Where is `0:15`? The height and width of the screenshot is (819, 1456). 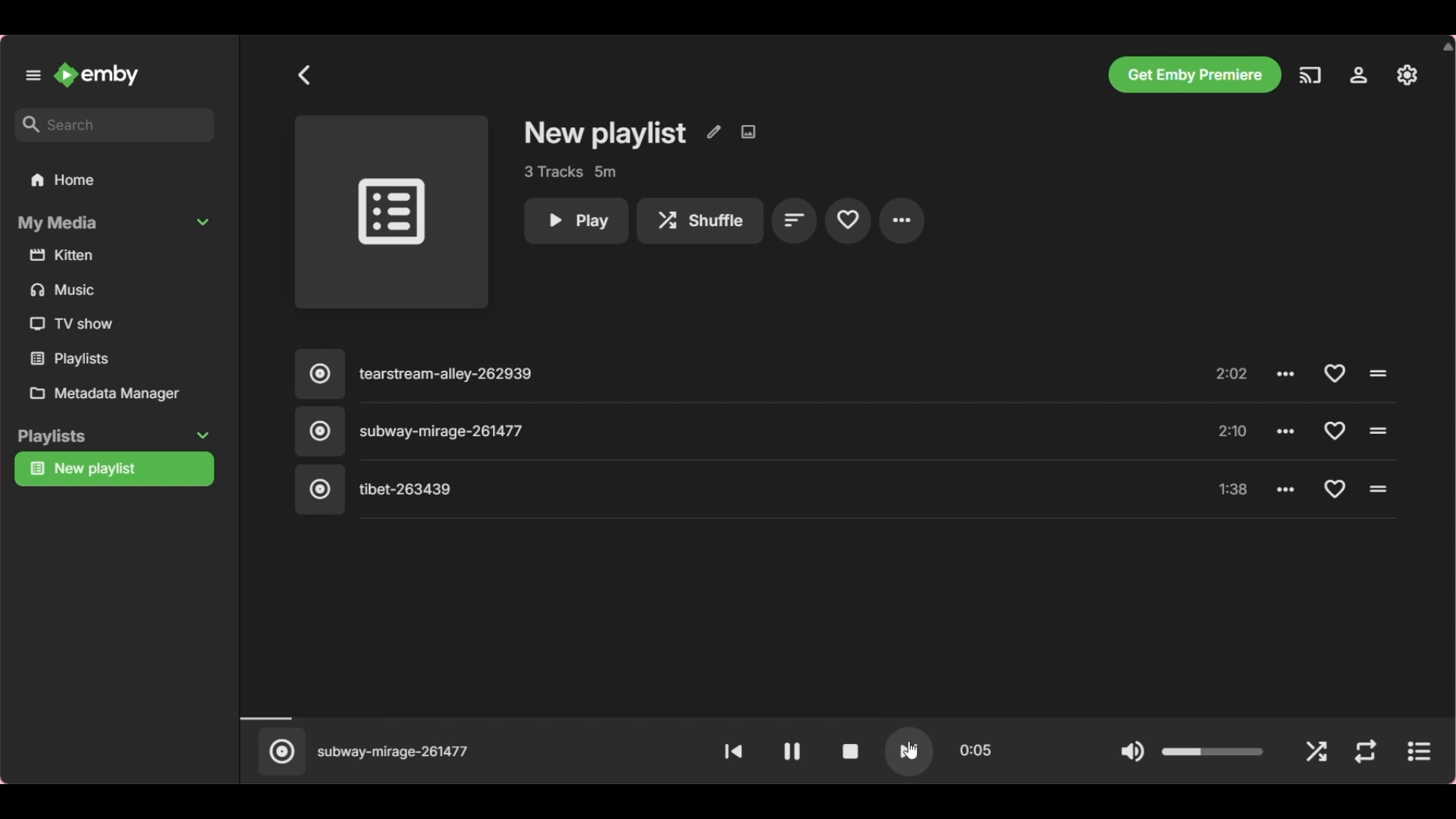 0:15 is located at coordinates (976, 748).